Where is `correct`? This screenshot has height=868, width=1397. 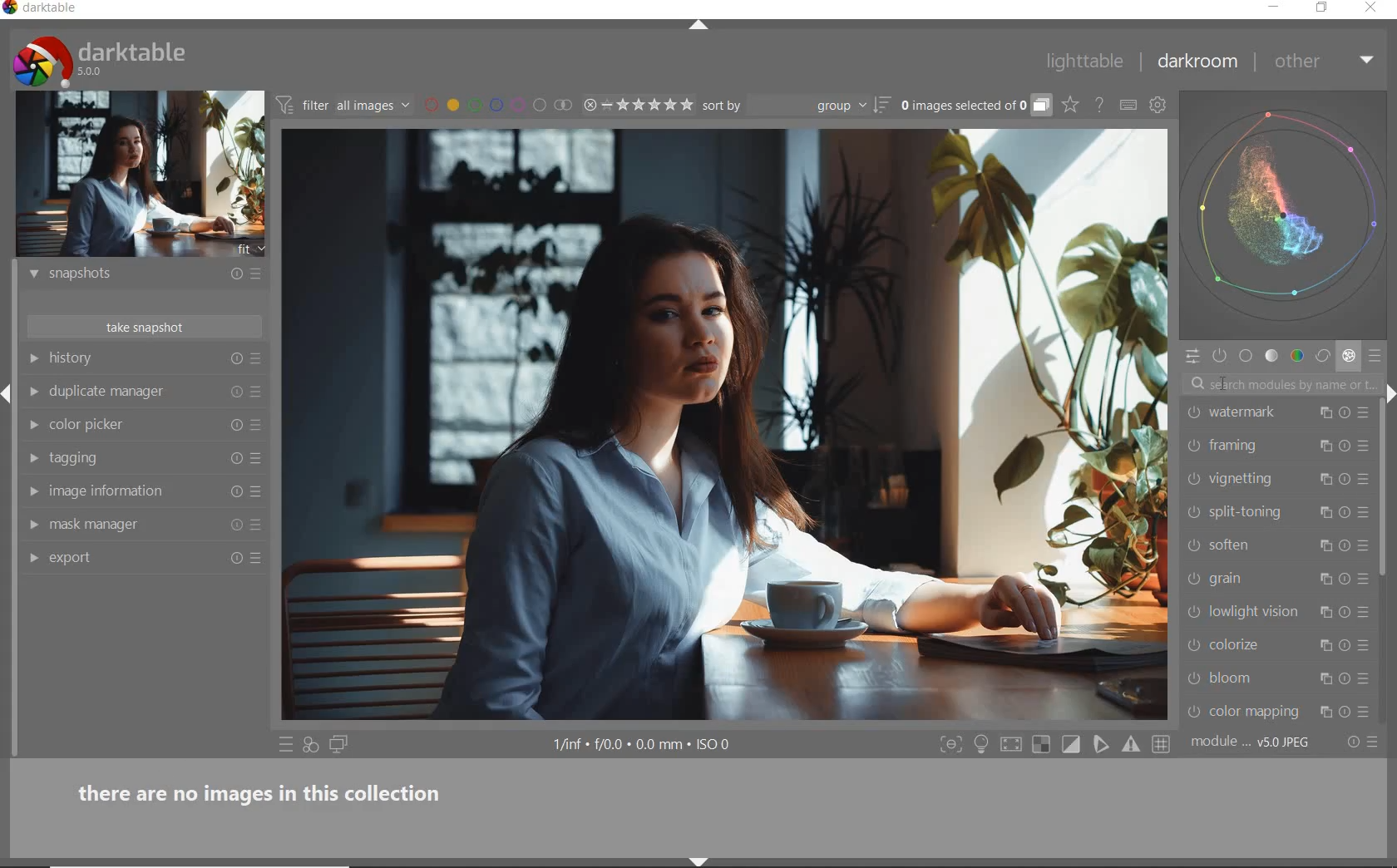
correct is located at coordinates (1323, 357).